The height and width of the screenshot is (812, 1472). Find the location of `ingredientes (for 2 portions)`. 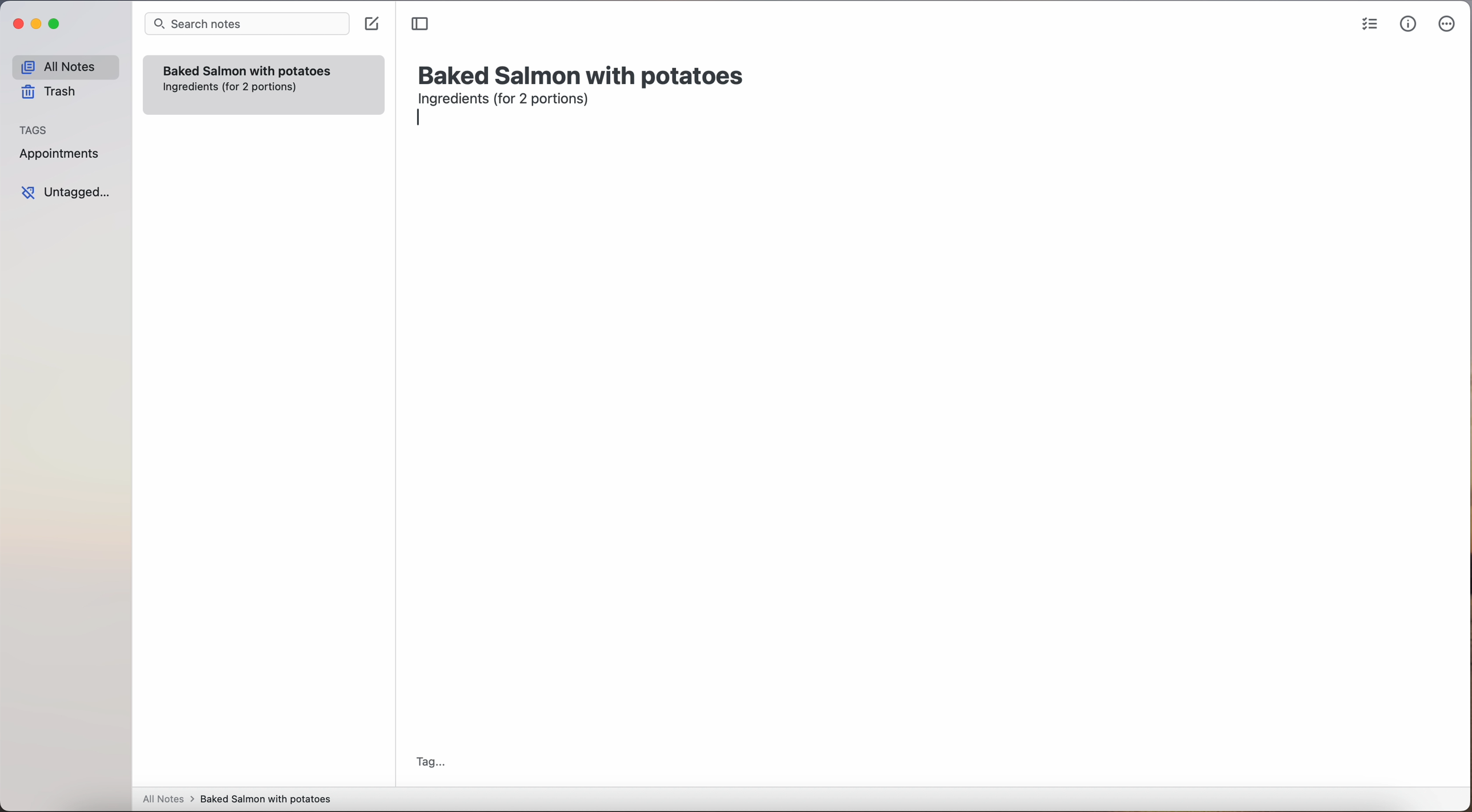

ingredientes (for 2 portions) is located at coordinates (231, 87).